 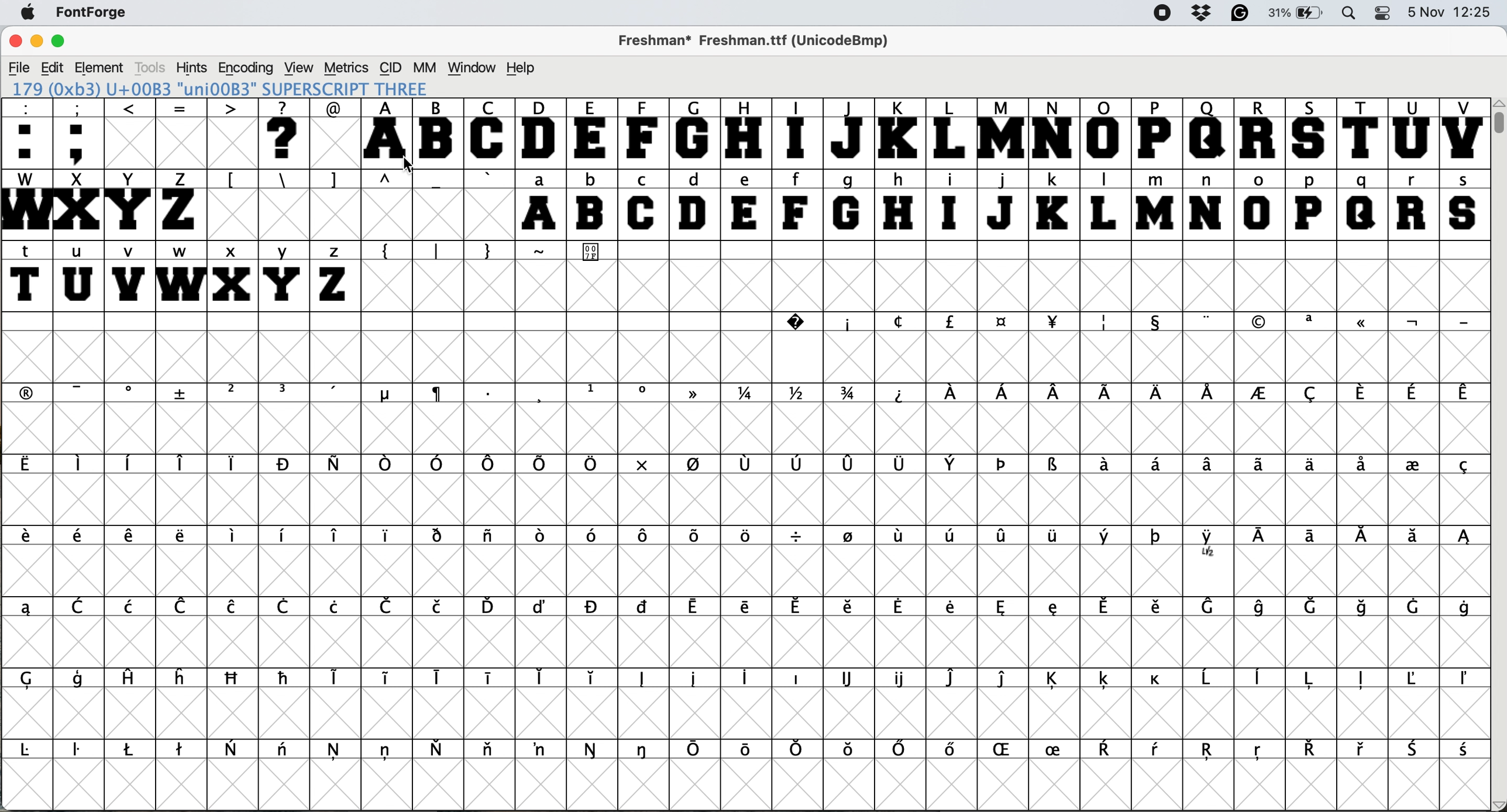 I want to click on symbol, so click(x=388, y=680).